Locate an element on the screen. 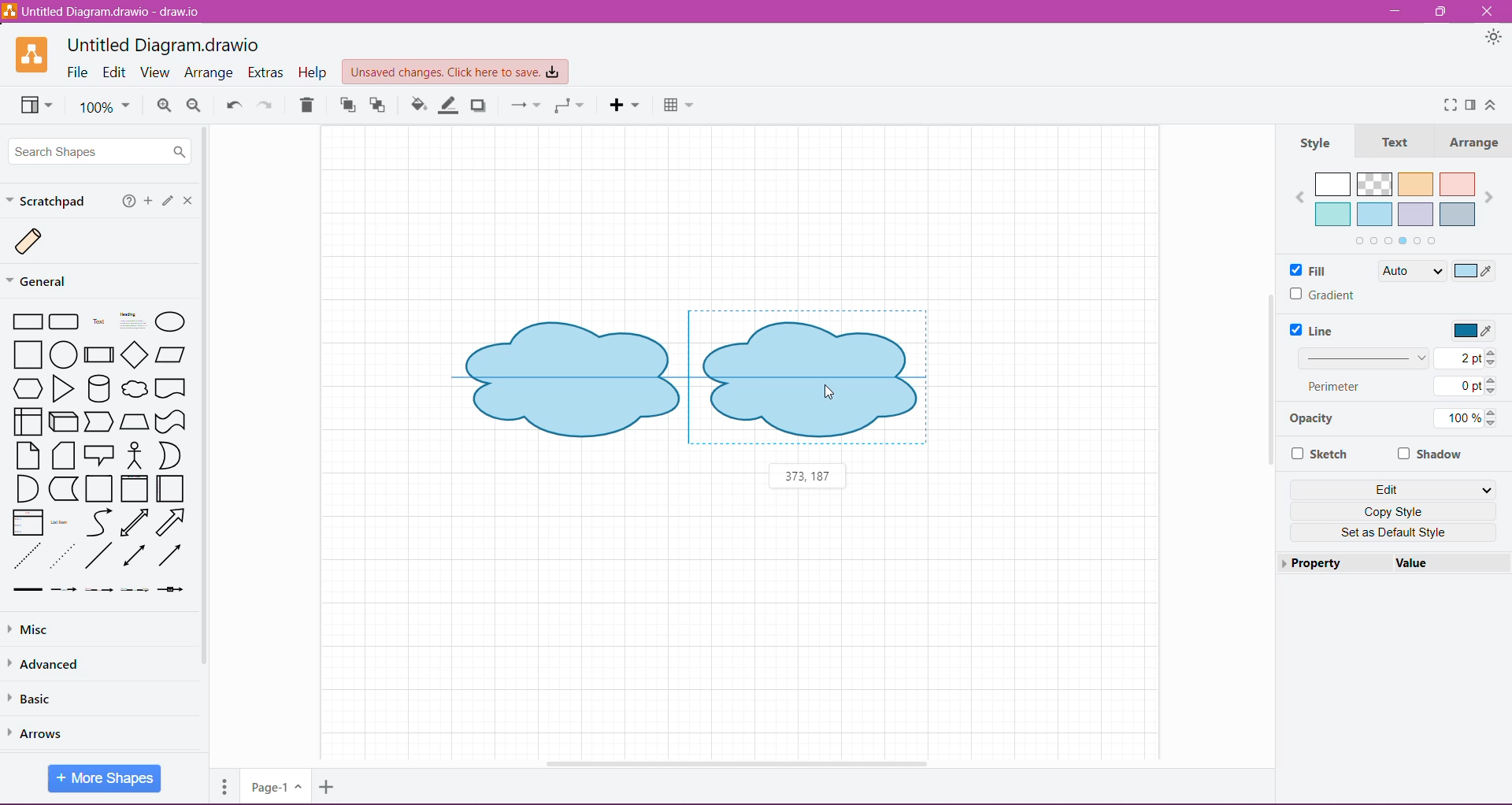 The width and height of the screenshot is (1512, 805). Copy Style is located at coordinates (1395, 512).